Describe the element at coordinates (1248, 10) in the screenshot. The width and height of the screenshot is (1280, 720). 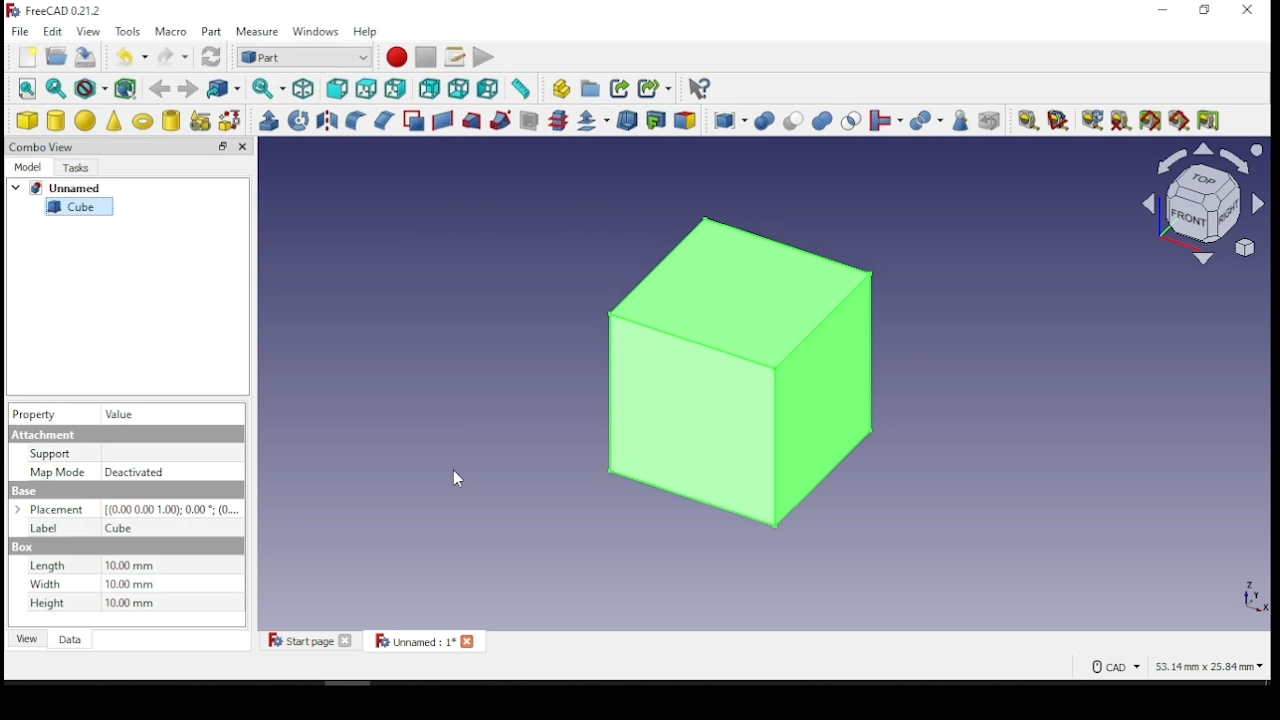
I see `close window` at that location.